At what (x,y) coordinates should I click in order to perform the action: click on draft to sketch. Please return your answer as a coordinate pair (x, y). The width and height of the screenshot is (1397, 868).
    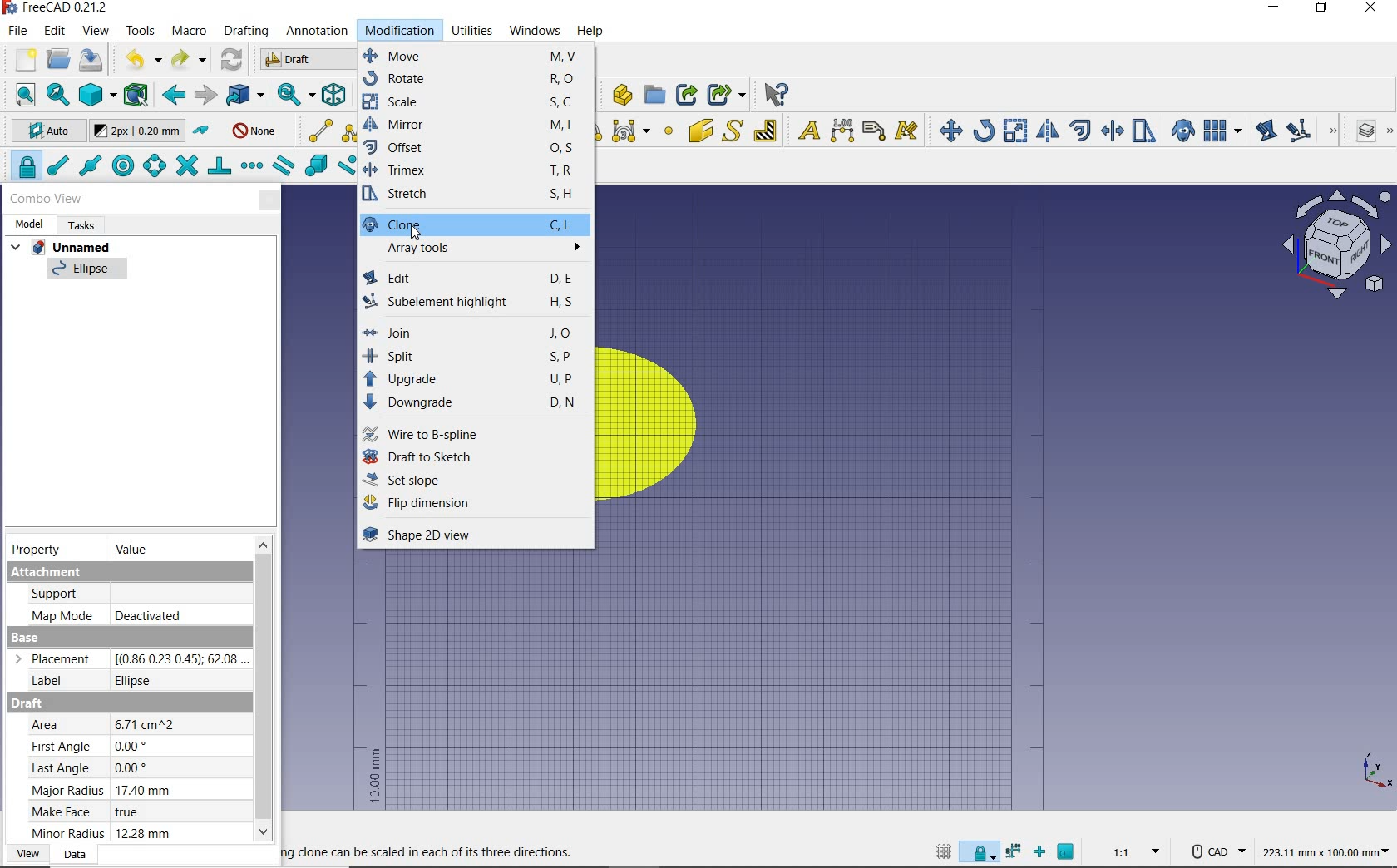
    Looking at the image, I should click on (473, 458).